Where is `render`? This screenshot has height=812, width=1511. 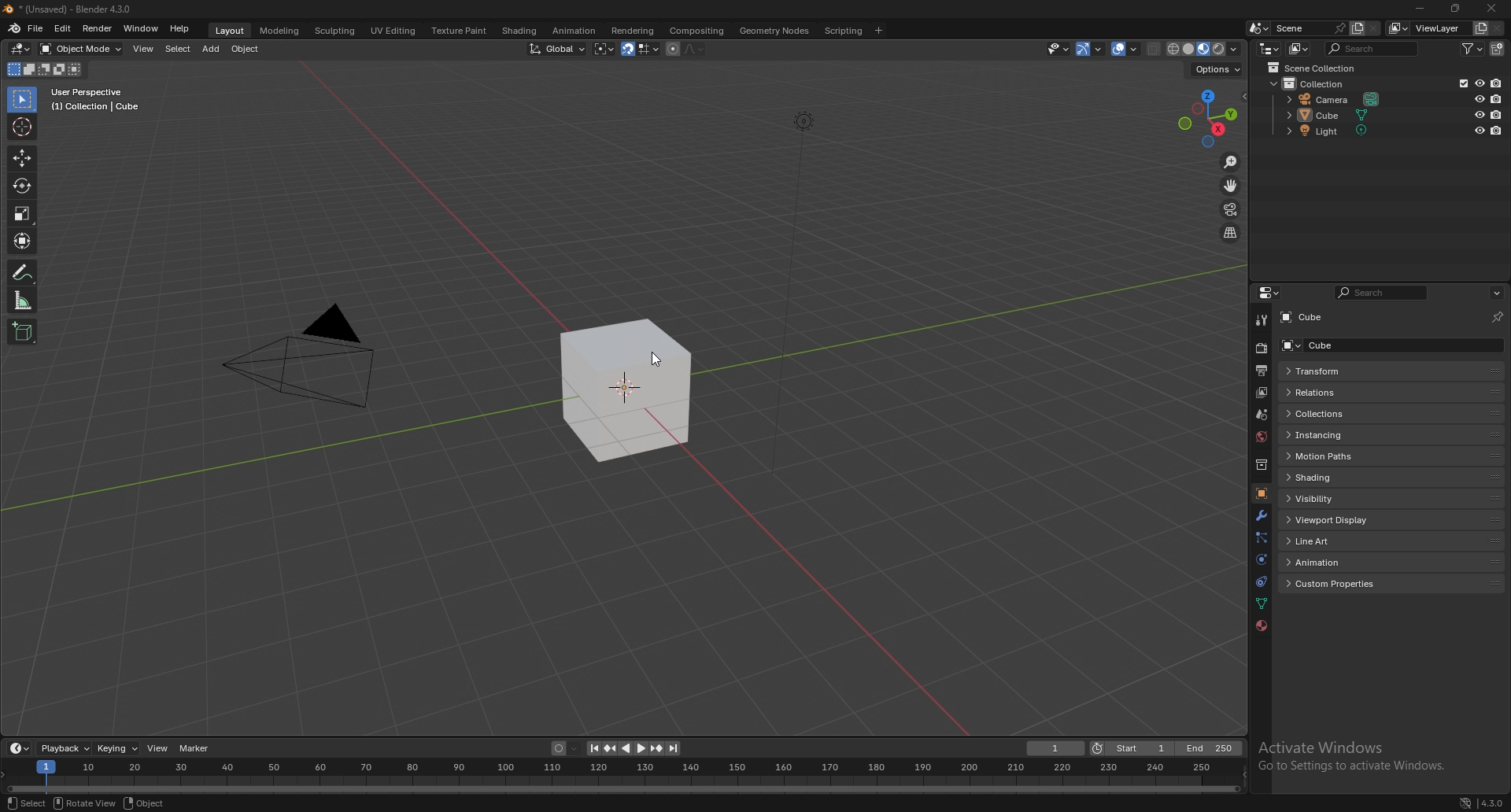
render is located at coordinates (1263, 348).